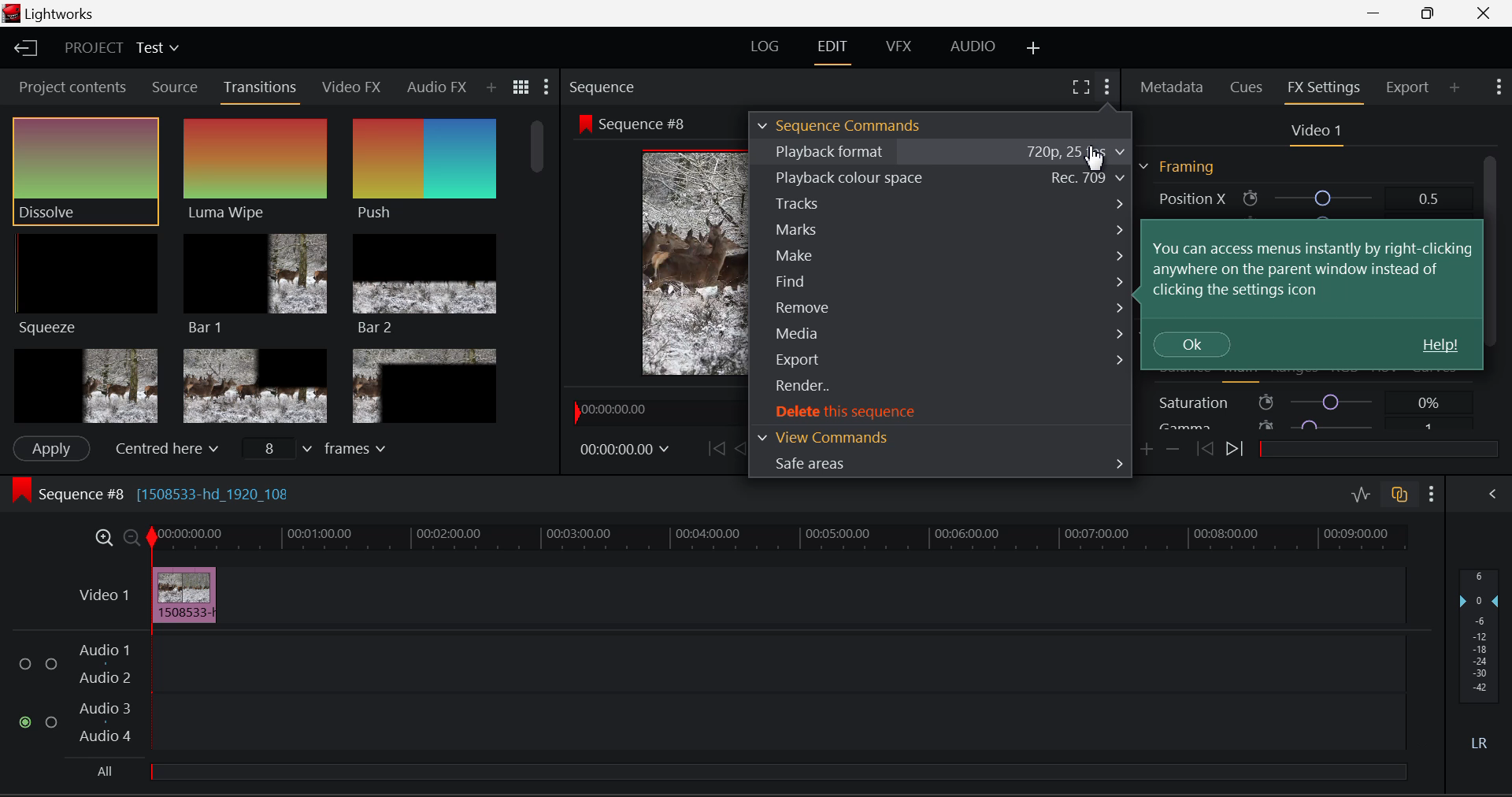 This screenshot has height=797, width=1512. What do you see at coordinates (940, 387) in the screenshot?
I see `Render` at bounding box center [940, 387].